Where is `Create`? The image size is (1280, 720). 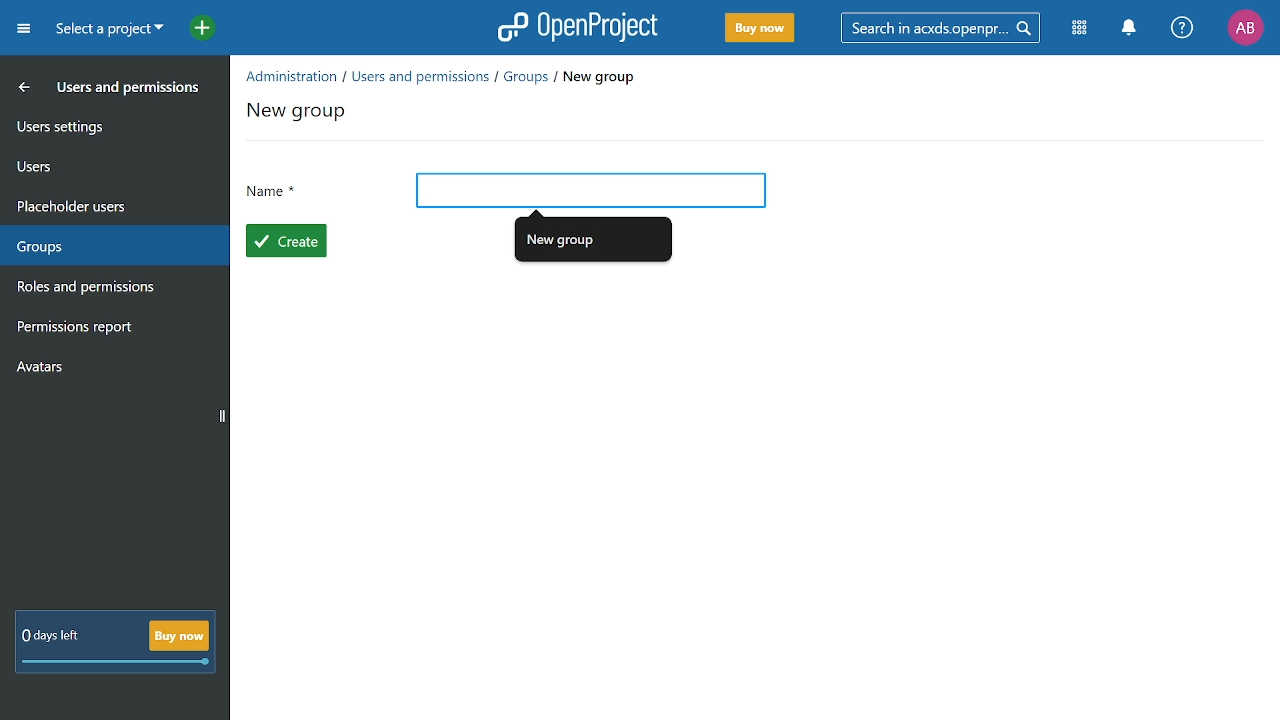 Create is located at coordinates (286, 240).